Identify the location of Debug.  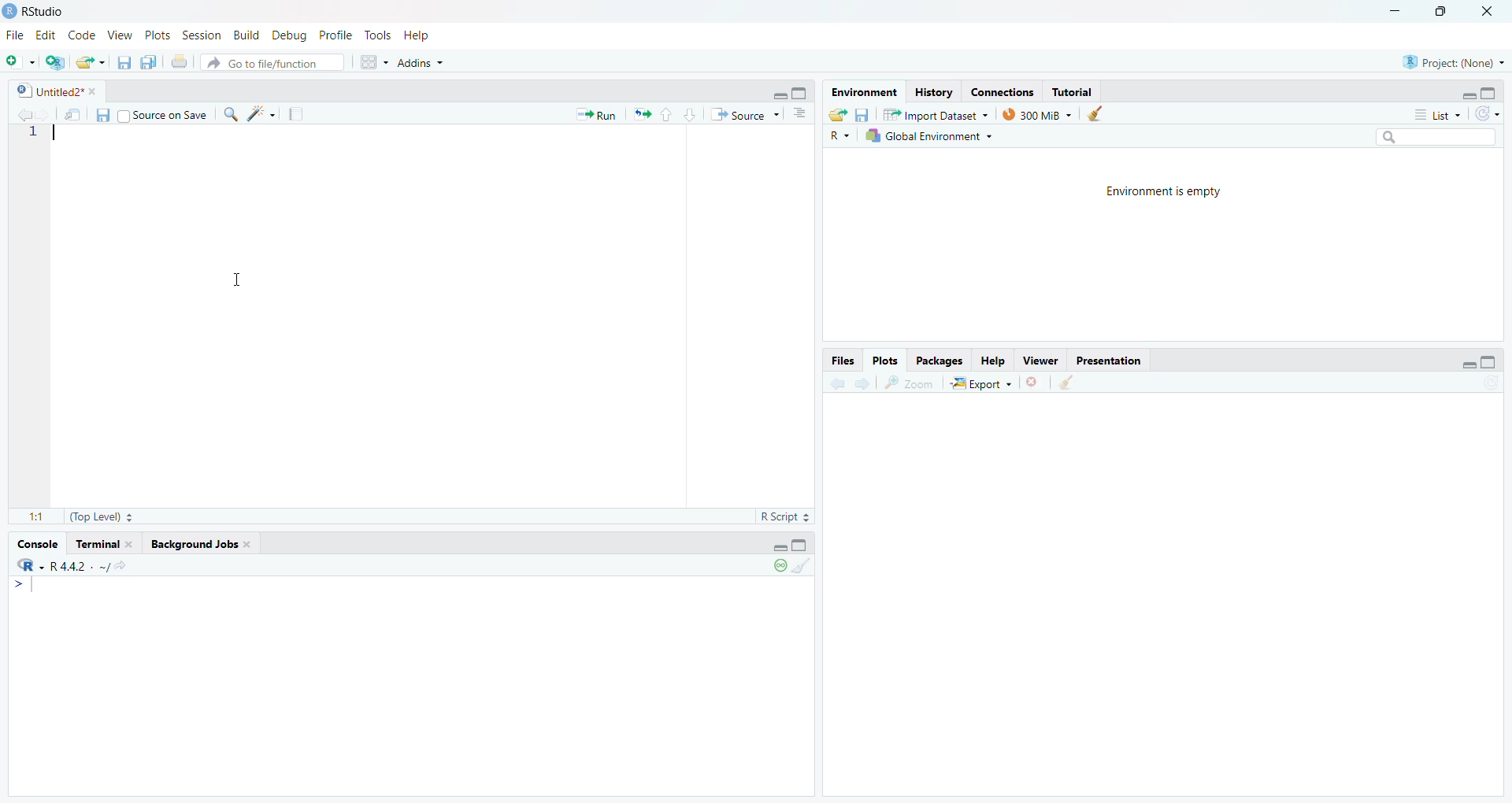
(290, 37).